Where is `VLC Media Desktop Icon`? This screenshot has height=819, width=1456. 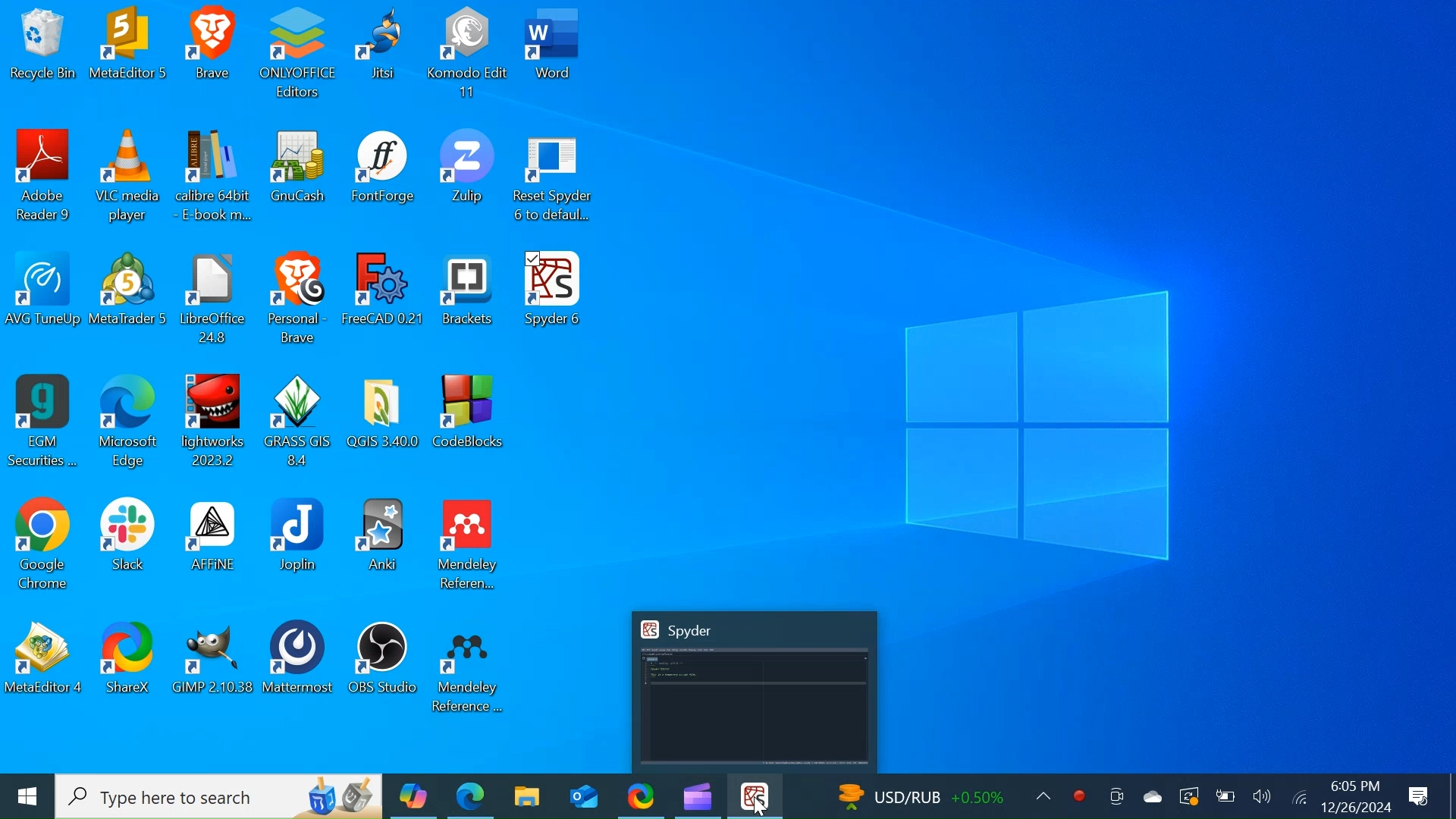 VLC Media Desktop Icon is located at coordinates (129, 178).